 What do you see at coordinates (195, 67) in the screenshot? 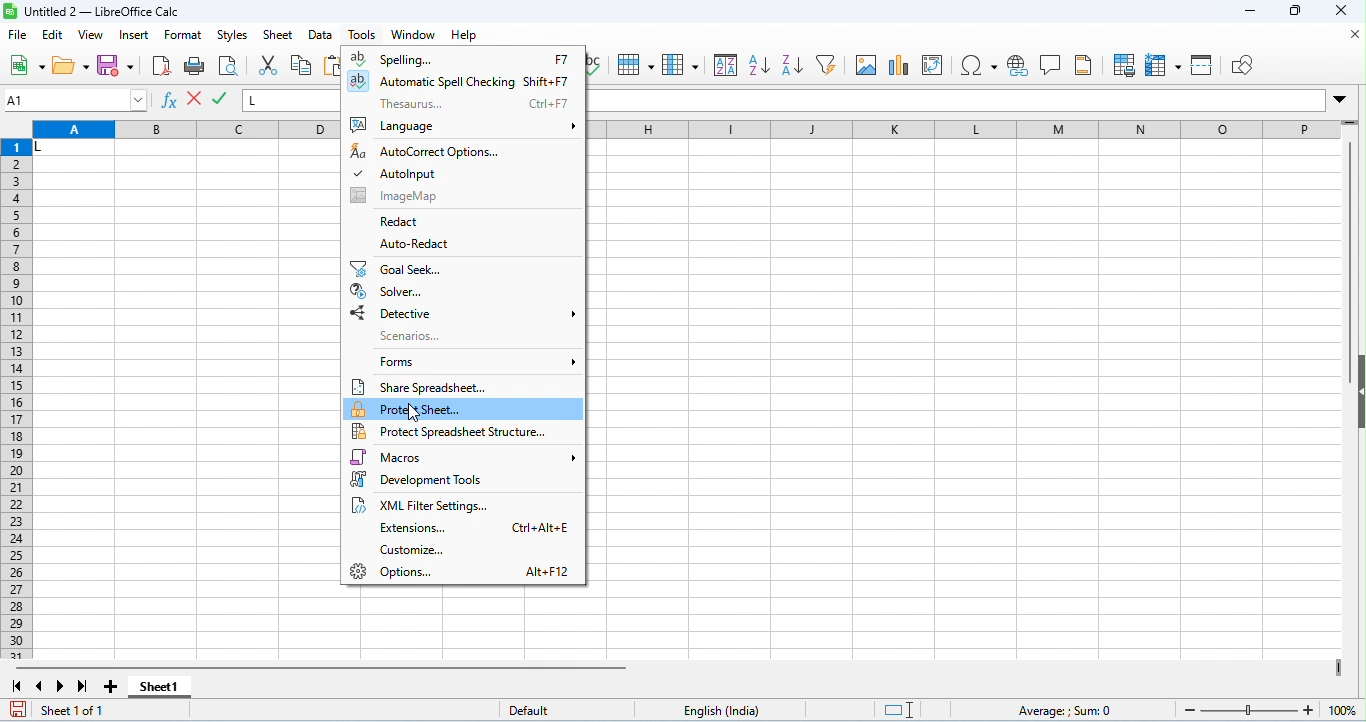
I see `print` at bounding box center [195, 67].